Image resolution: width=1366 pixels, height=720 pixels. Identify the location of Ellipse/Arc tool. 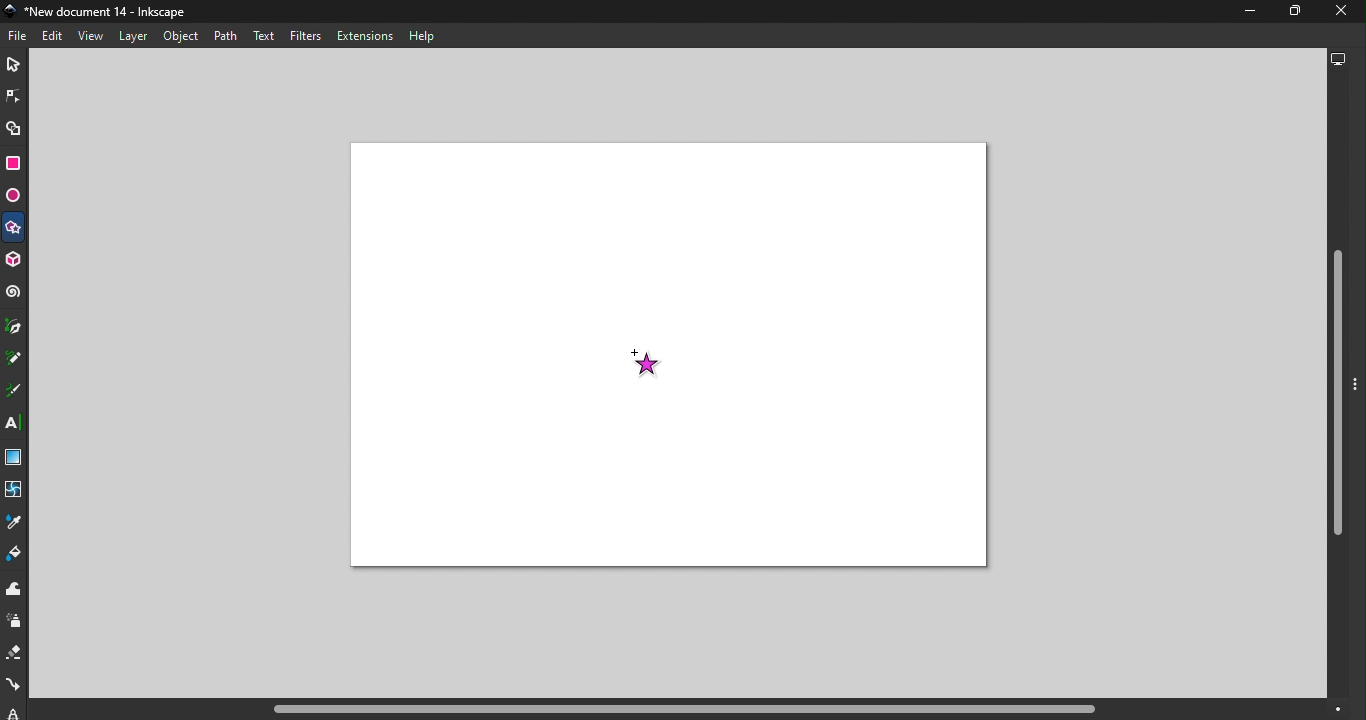
(15, 196).